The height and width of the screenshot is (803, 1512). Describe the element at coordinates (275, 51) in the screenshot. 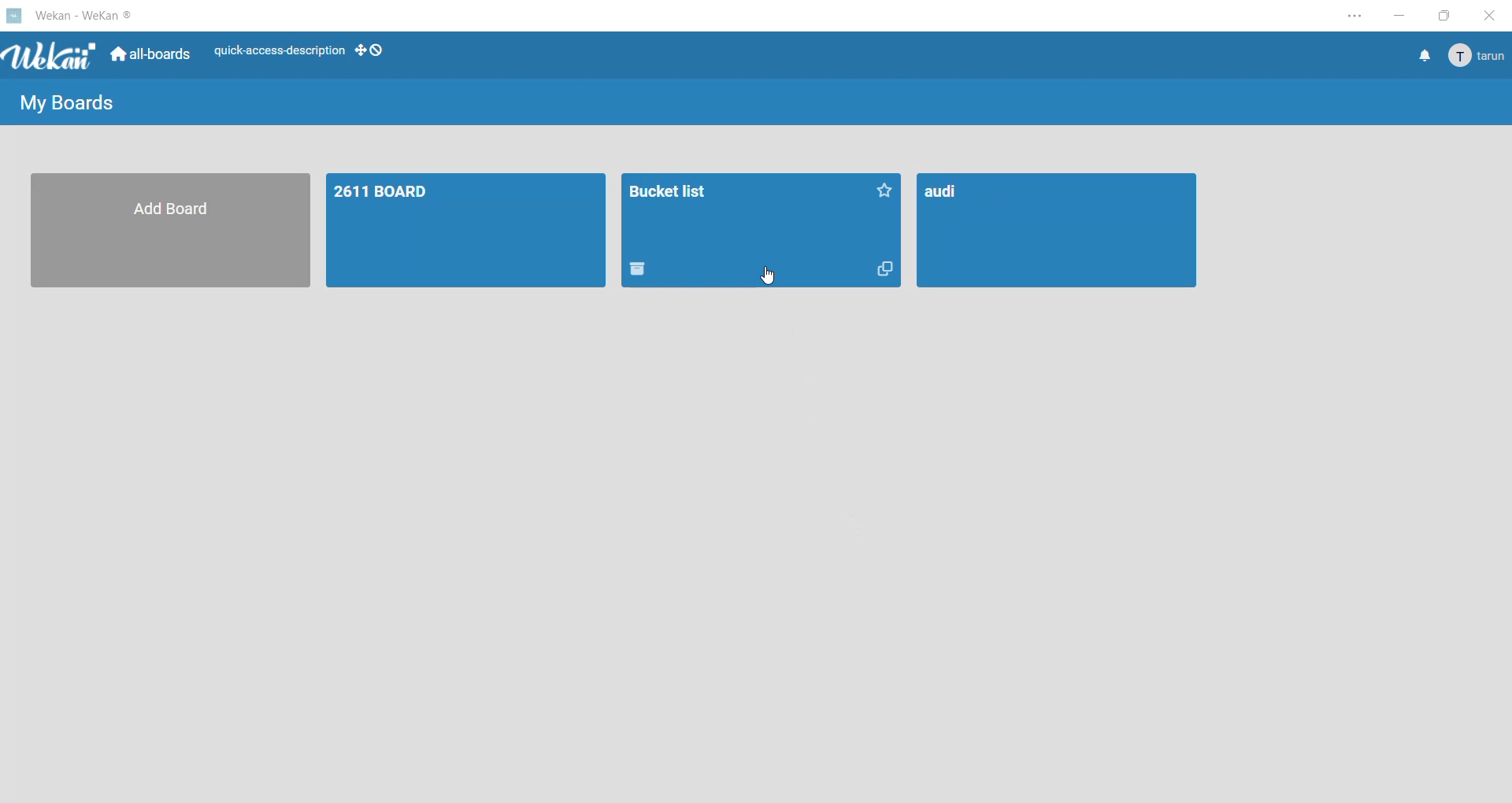

I see `quick-access-description` at that location.